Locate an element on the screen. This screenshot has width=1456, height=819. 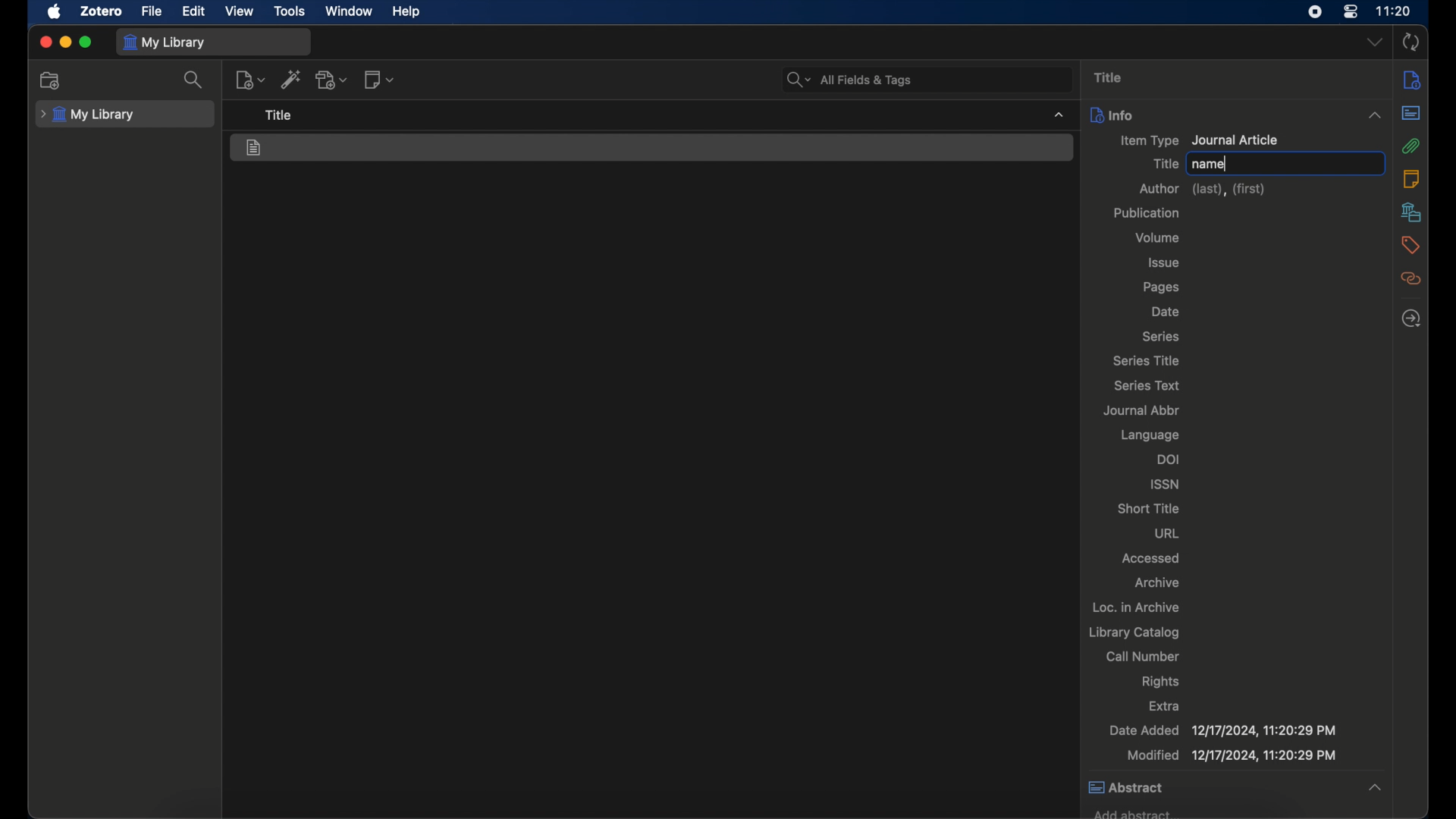
dropdown is located at coordinates (1059, 114).